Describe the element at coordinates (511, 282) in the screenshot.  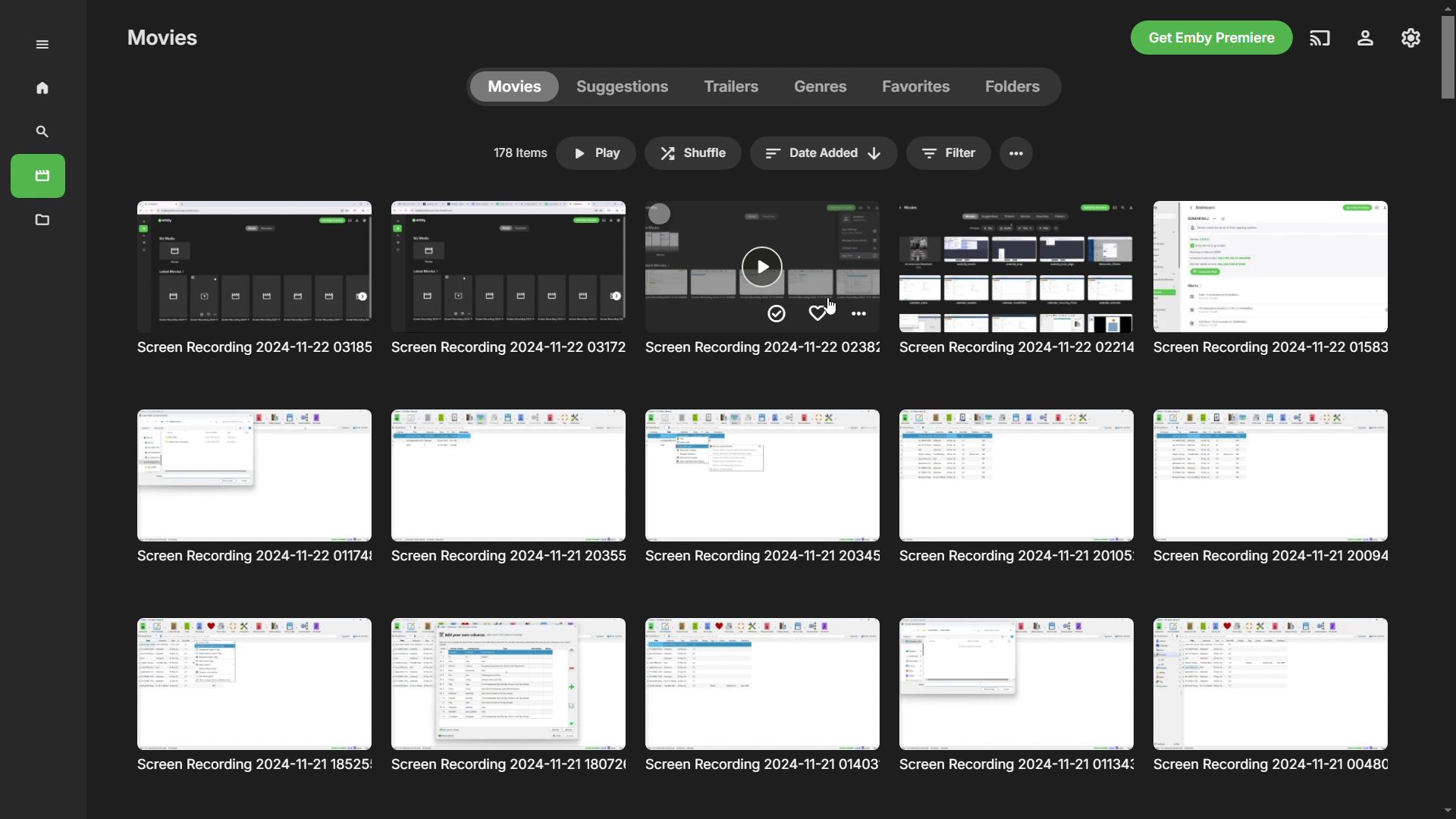
I see `` at that location.